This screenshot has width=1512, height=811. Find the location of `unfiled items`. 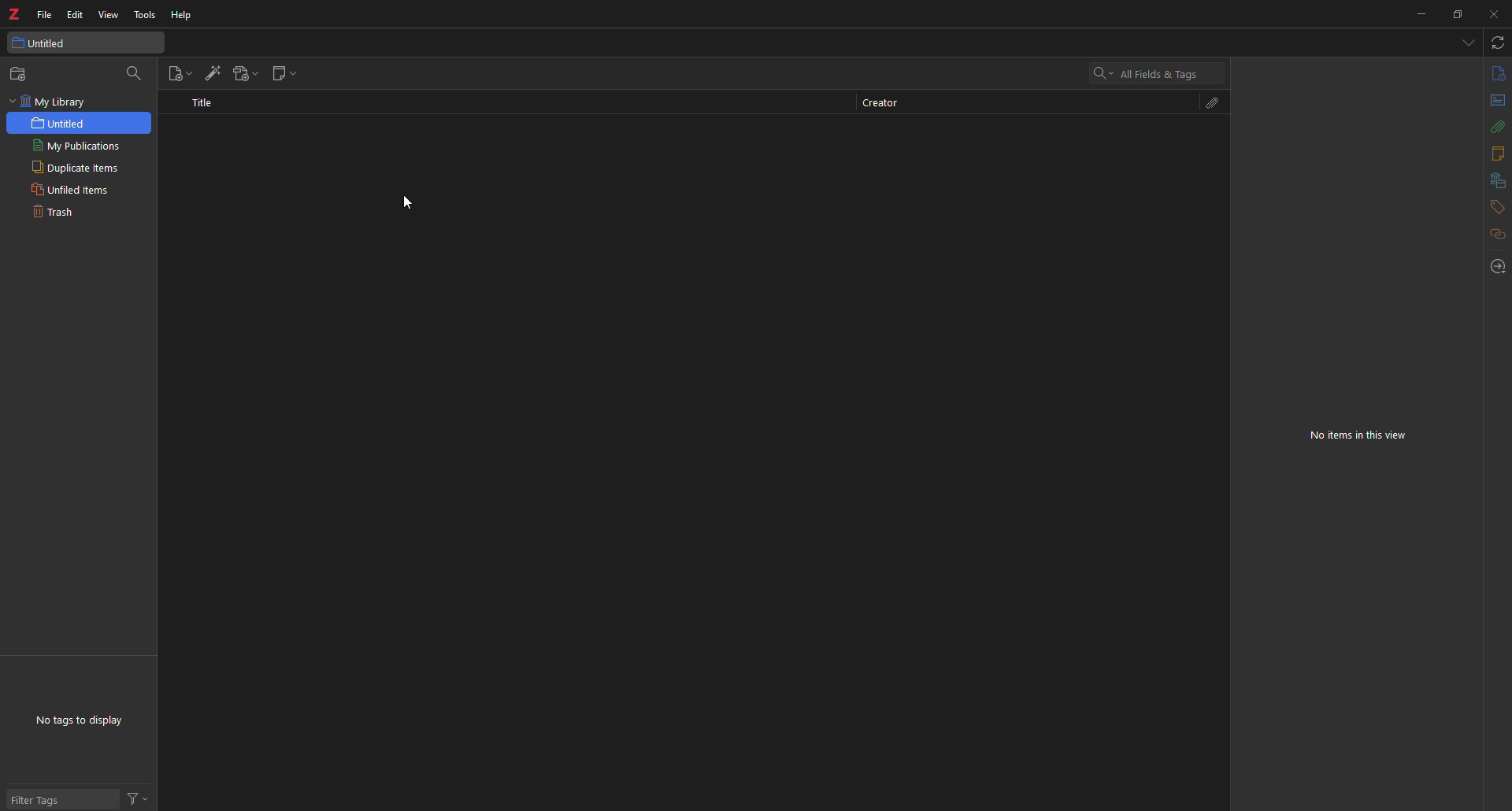

unfiled items is located at coordinates (72, 191).